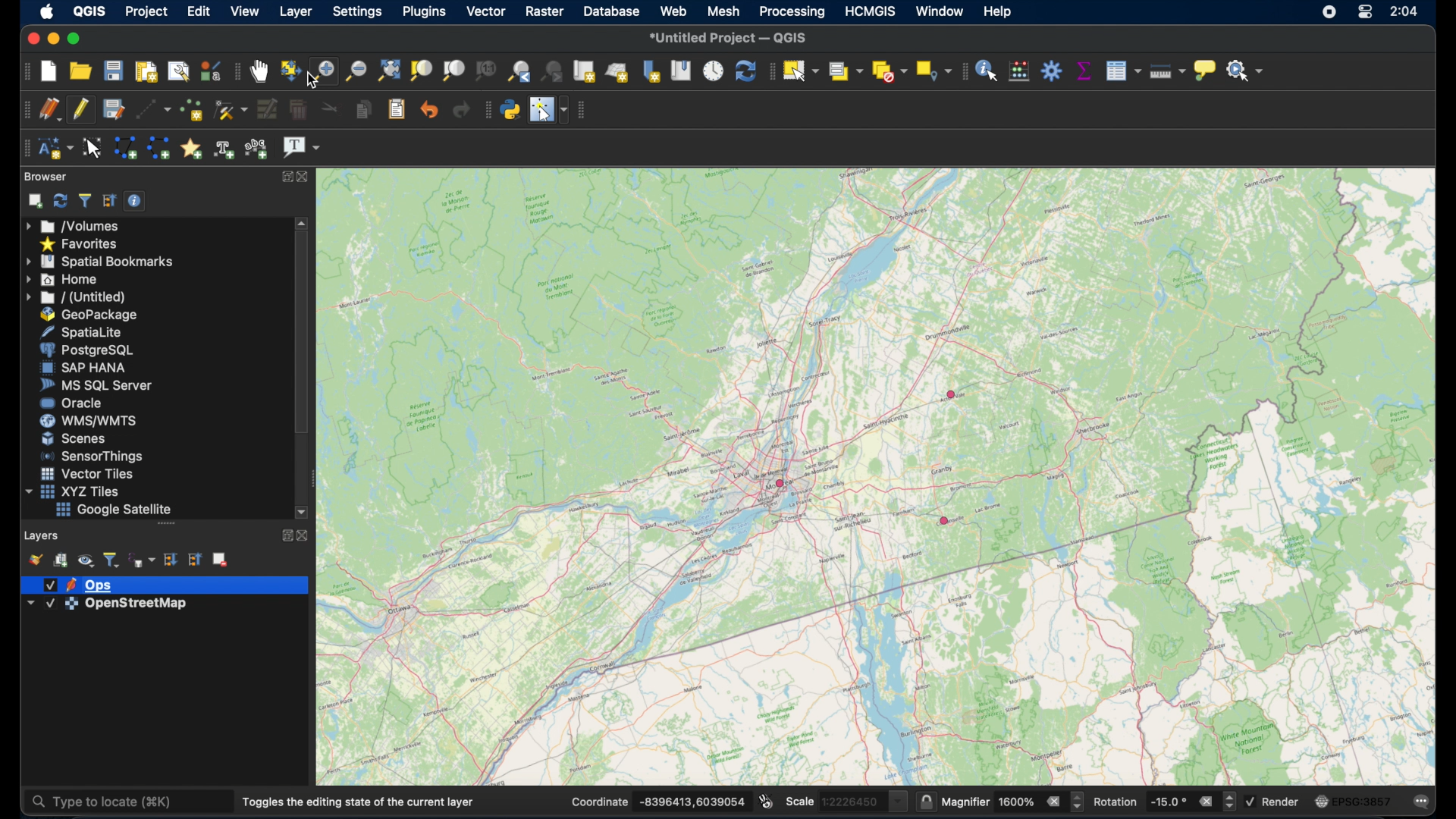 The width and height of the screenshot is (1456, 819). I want to click on zoom to layer, so click(452, 71).